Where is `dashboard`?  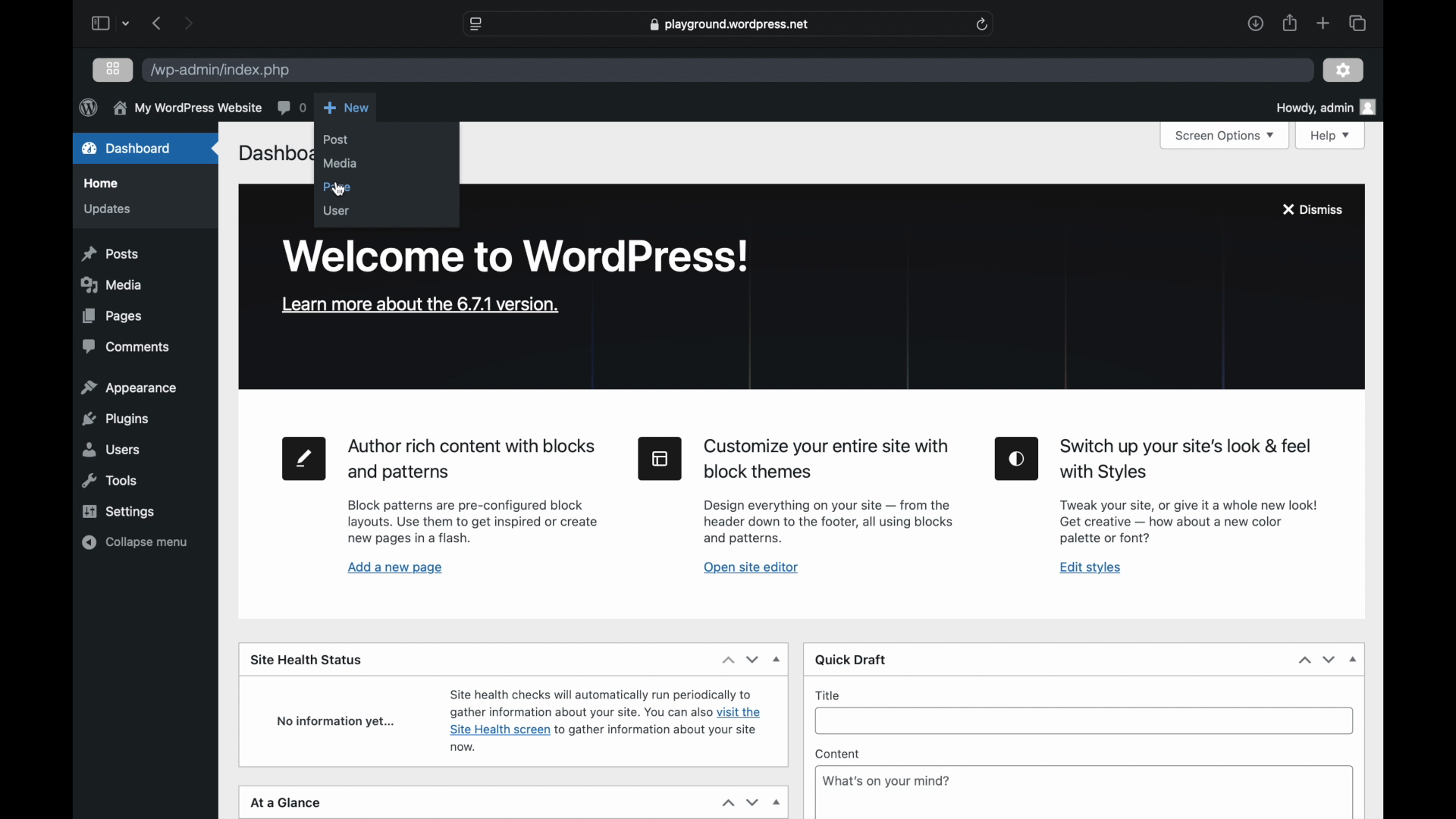 dashboard is located at coordinates (273, 155).